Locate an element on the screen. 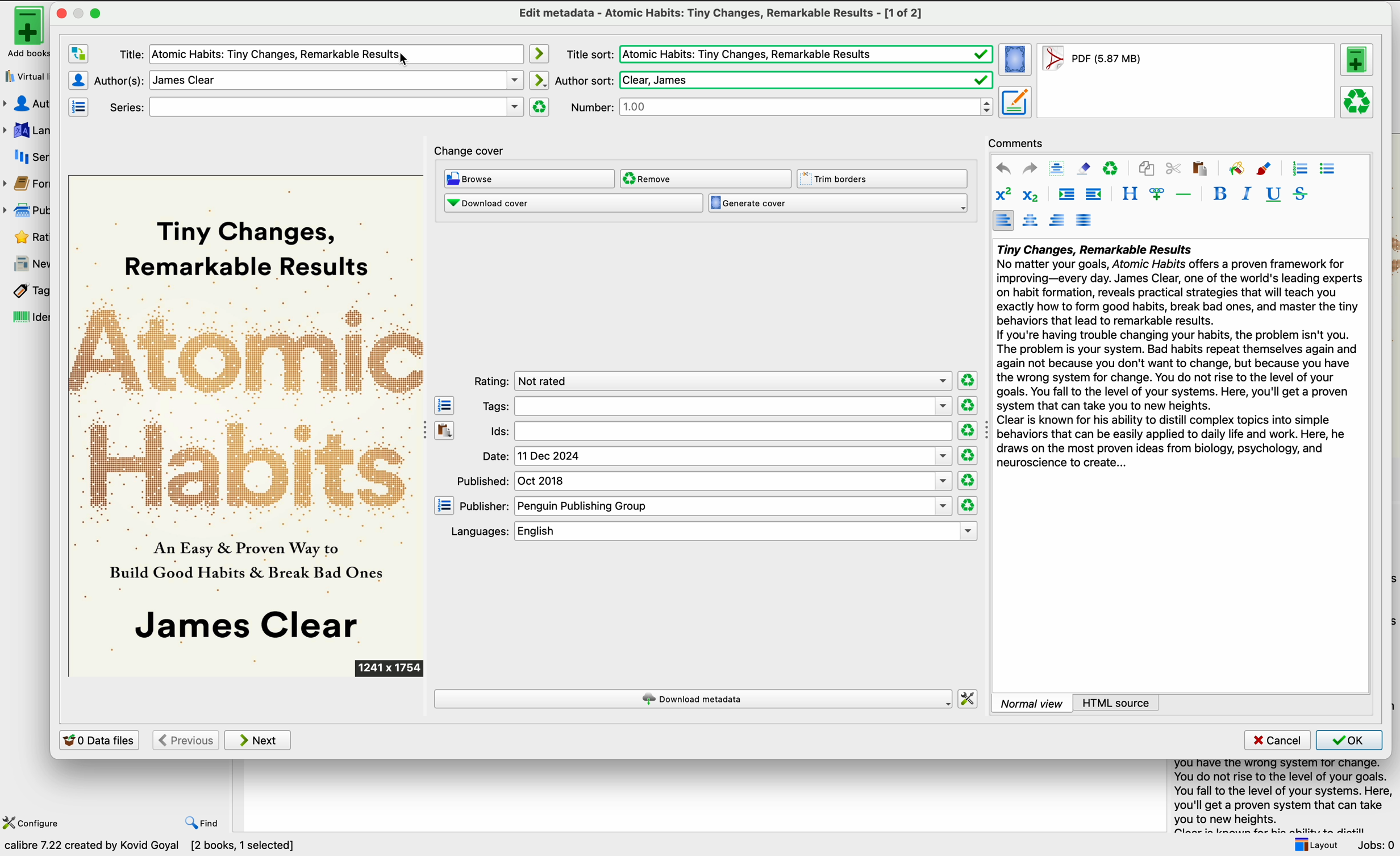  configure is located at coordinates (34, 822).